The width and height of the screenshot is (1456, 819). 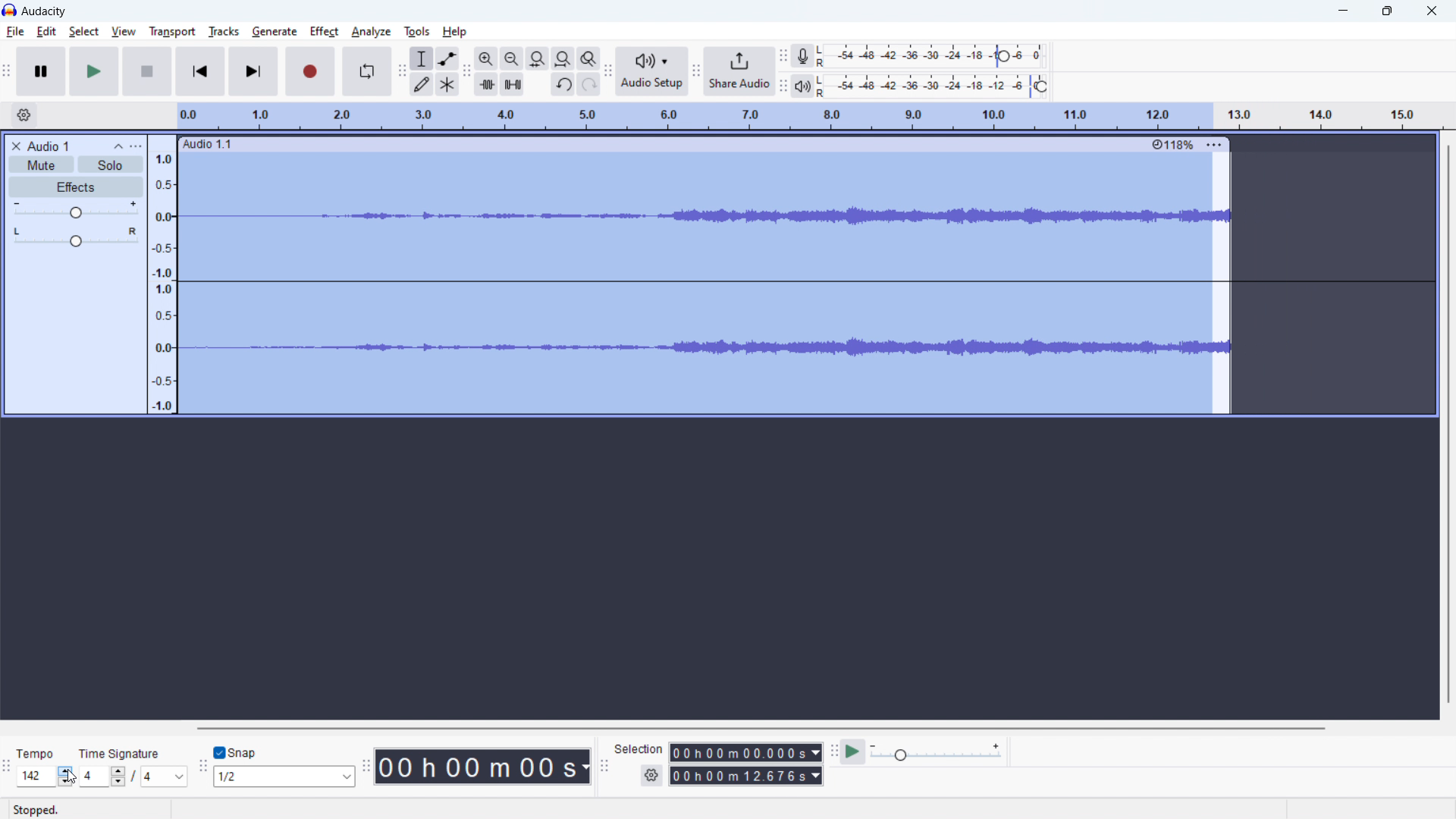 I want to click on start time, so click(x=746, y=752).